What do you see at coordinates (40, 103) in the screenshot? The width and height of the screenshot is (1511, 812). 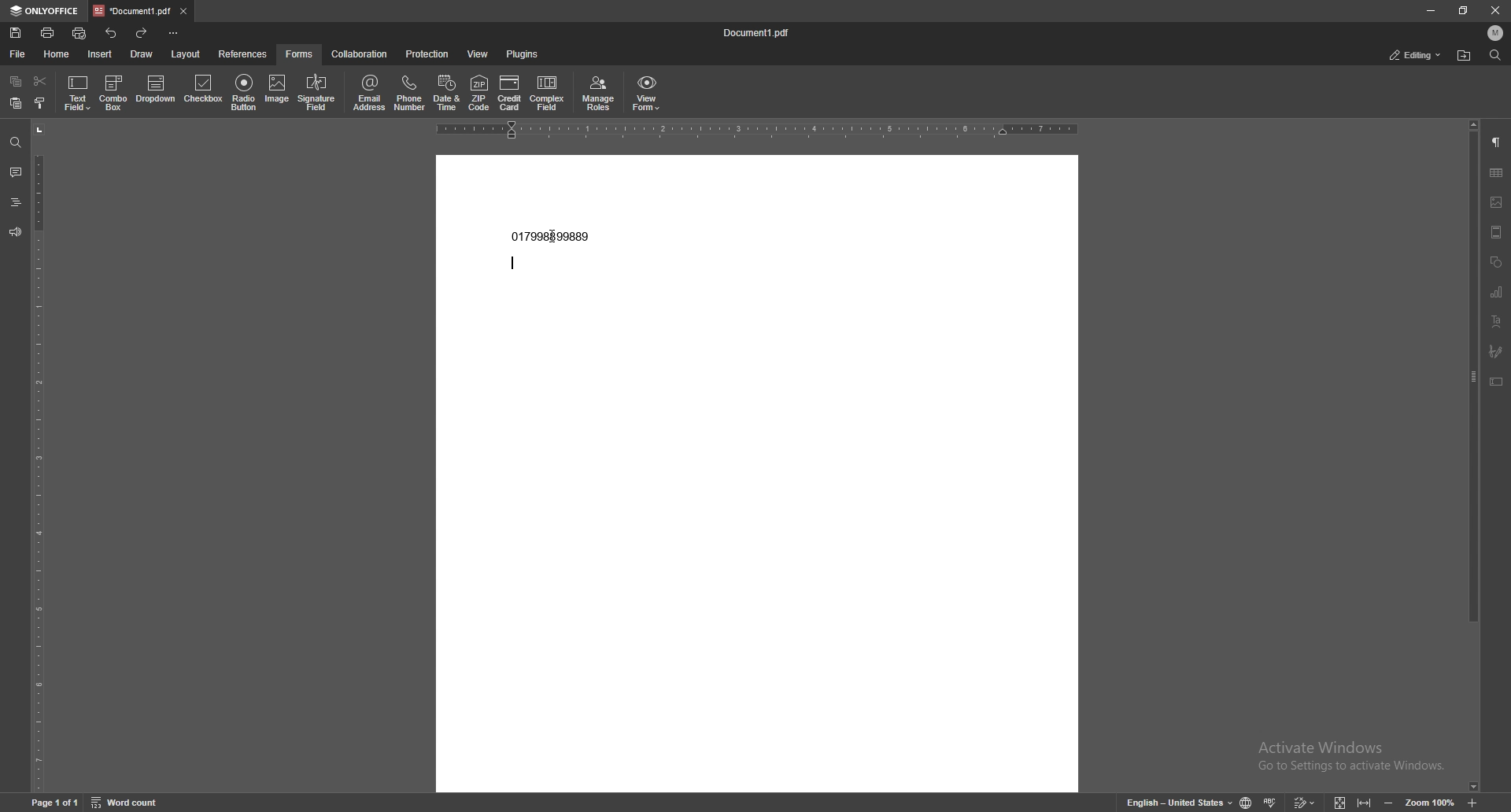 I see `copy style` at bounding box center [40, 103].